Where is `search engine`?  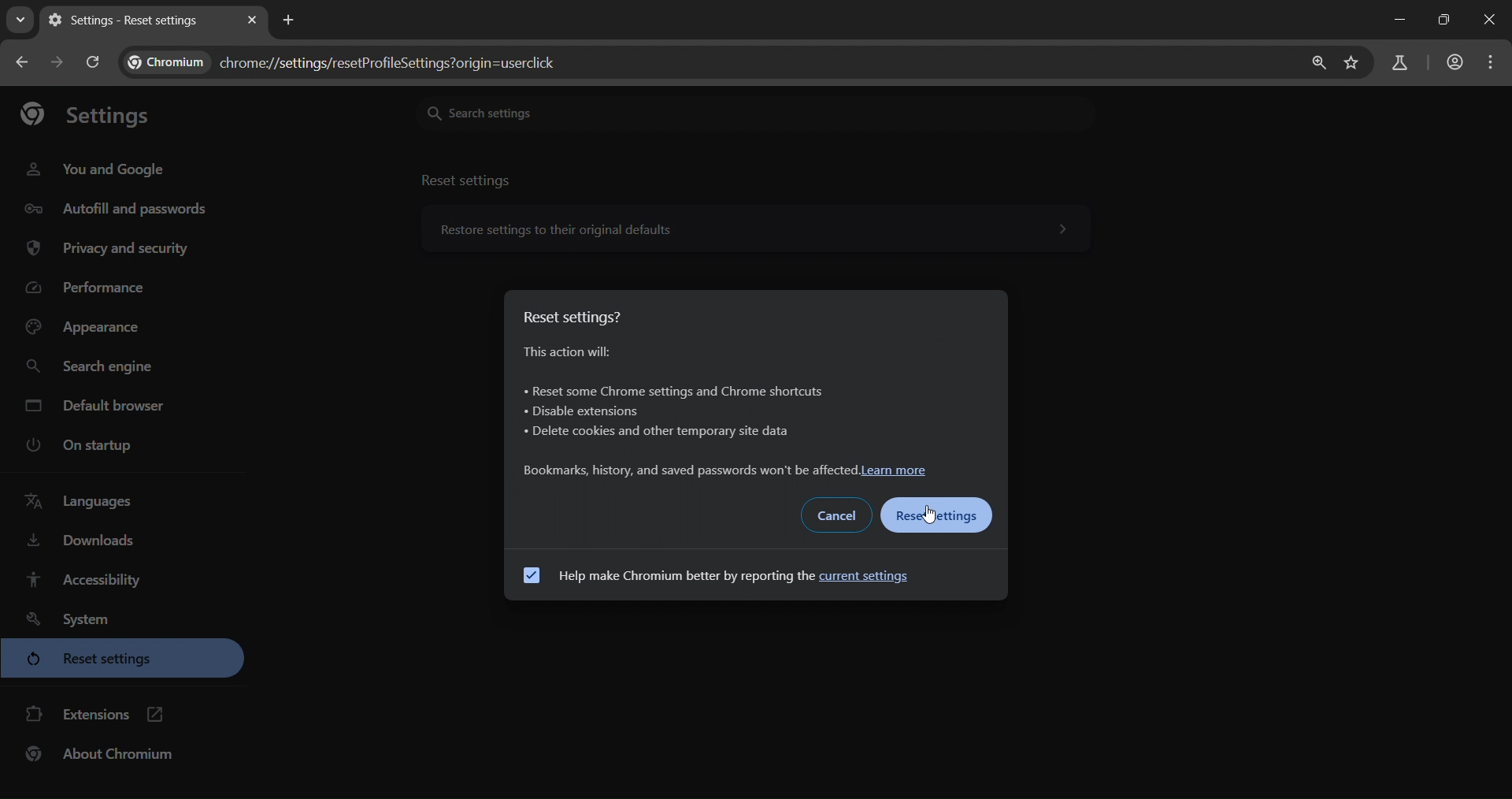
search engine is located at coordinates (94, 368).